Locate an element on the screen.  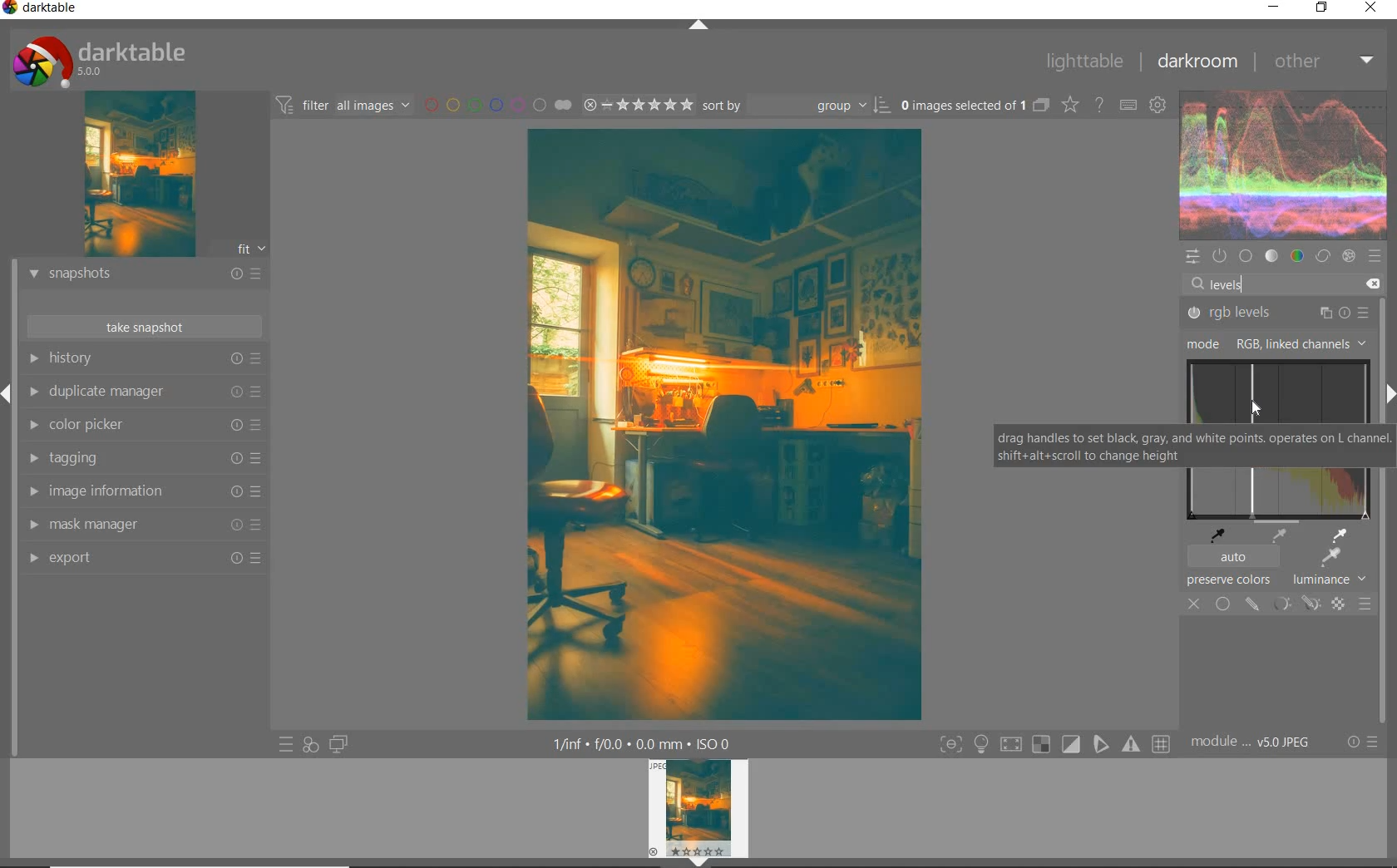
system name is located at coordinates (43, 9).